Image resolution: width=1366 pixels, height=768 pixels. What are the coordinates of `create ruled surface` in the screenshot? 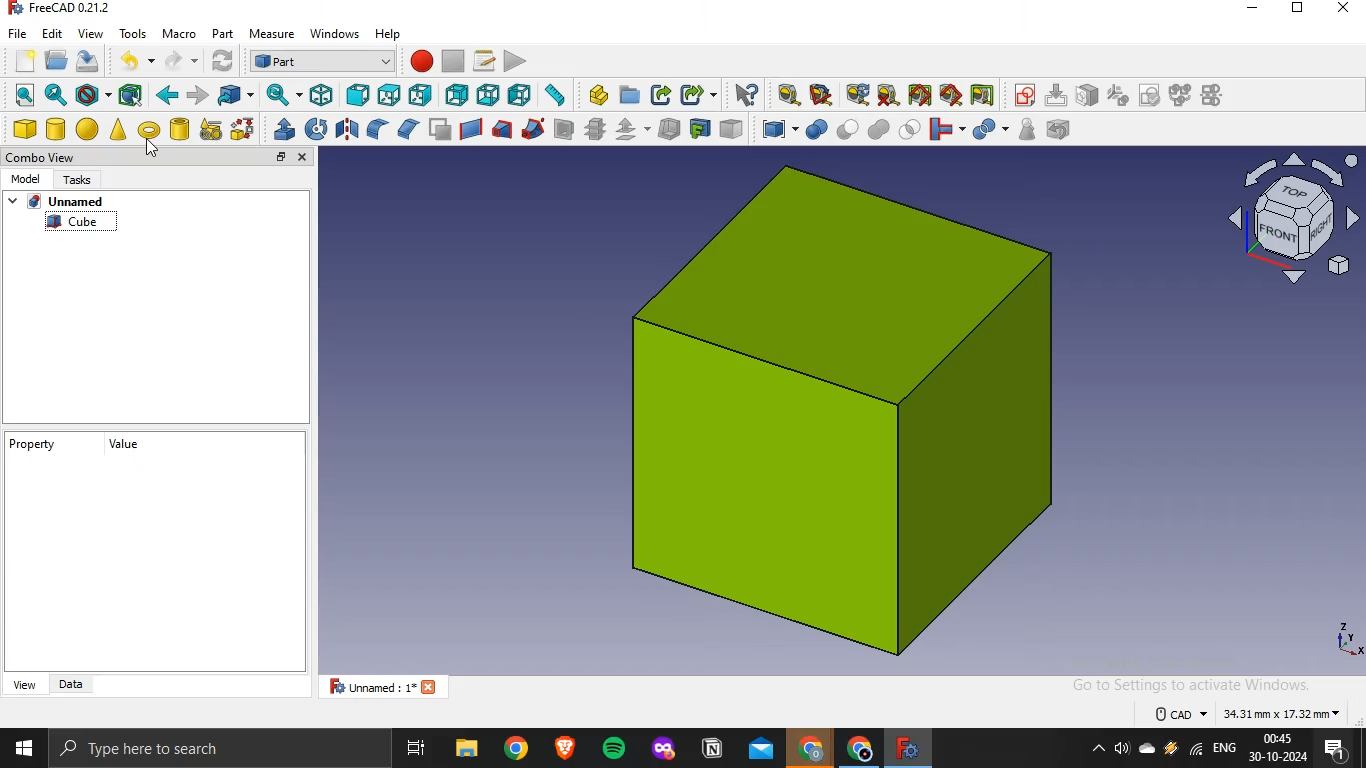 It's located at (471, 129).